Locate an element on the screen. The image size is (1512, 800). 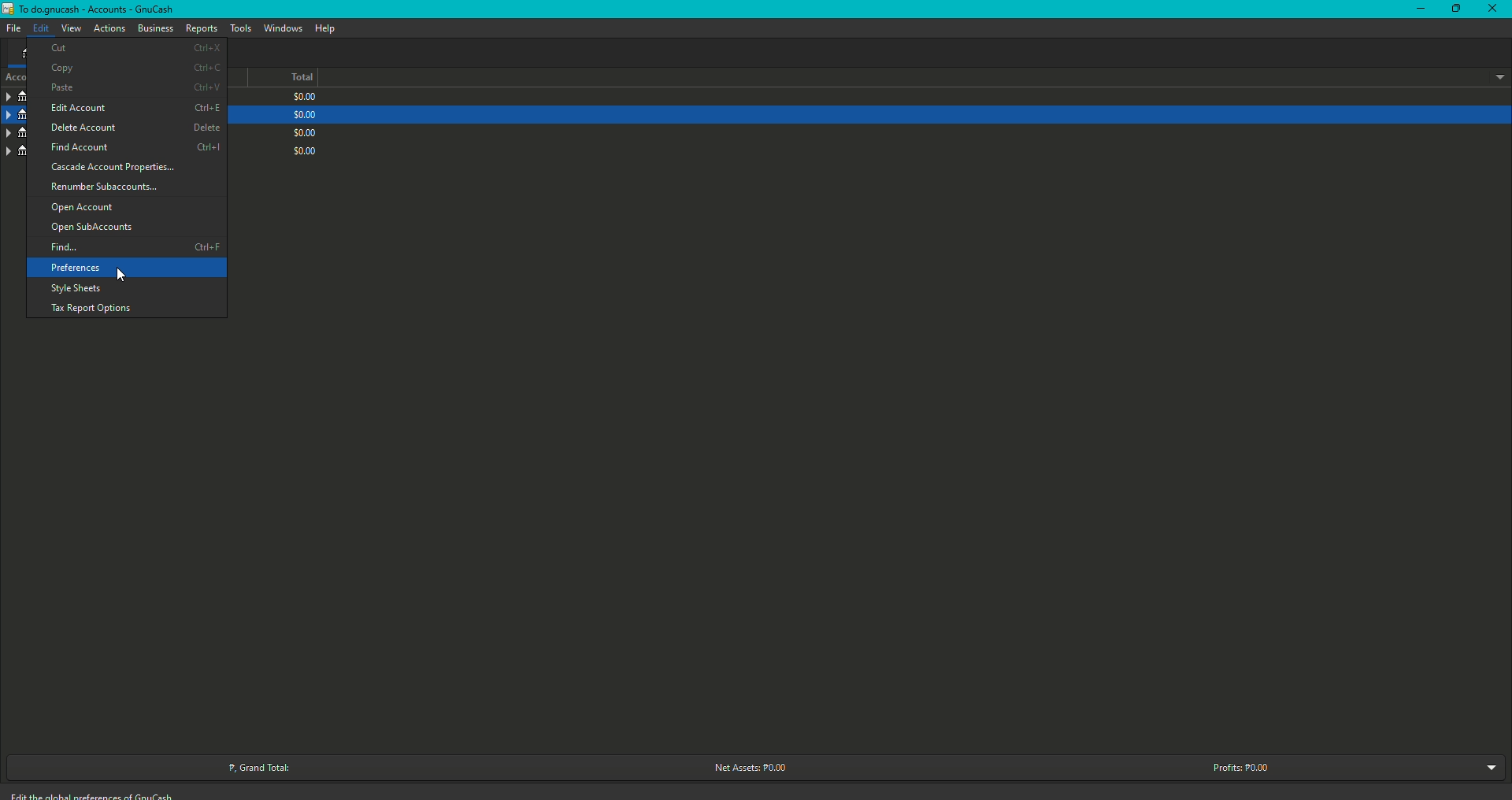
Find Account is located at coordinates (131, 148).